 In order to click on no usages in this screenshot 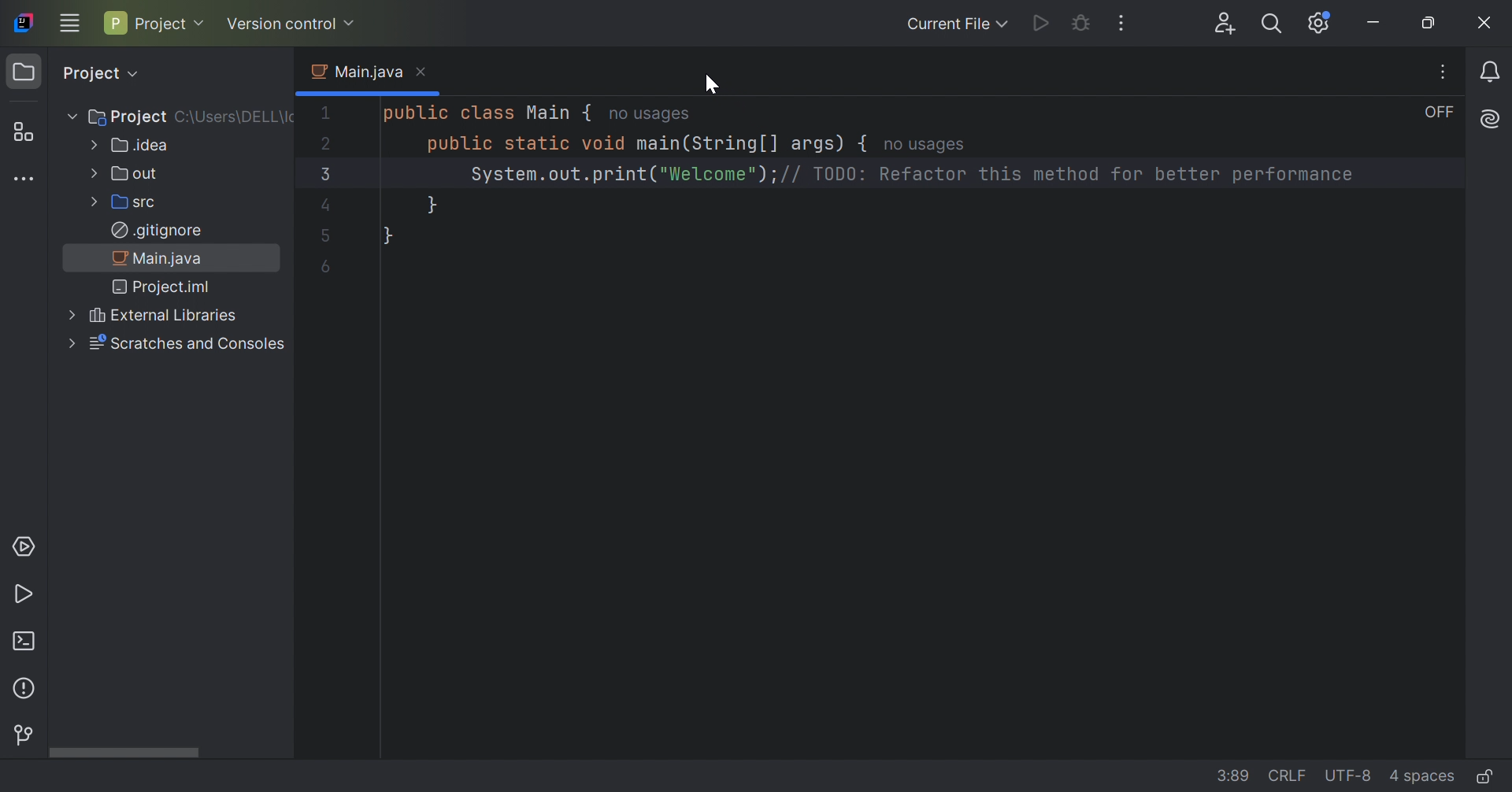, I will do `click(926, 146)`.